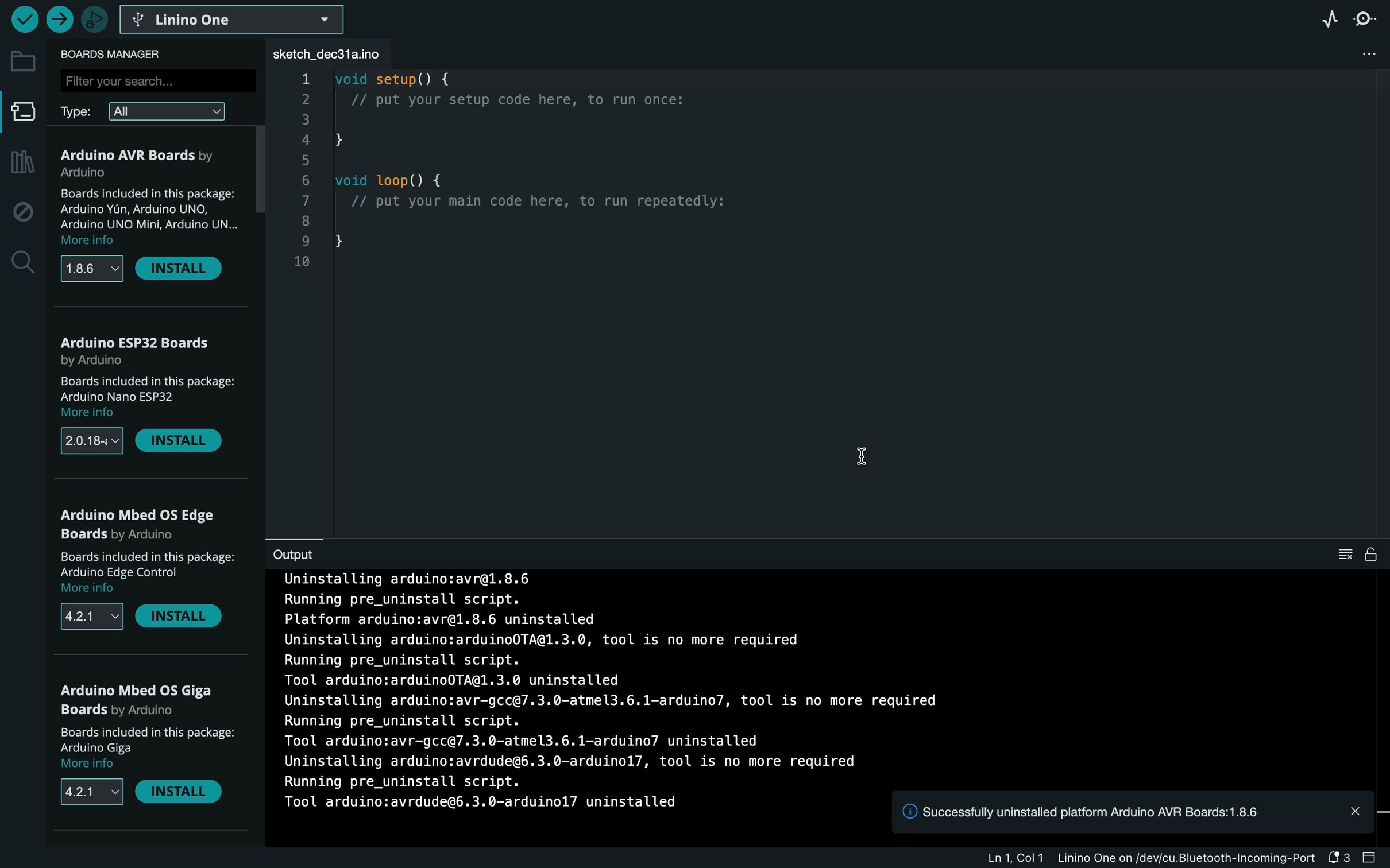  What do you see at coordinates (92, 242) in the screenshot?
I see `more info` at bounding box center [92, 242].